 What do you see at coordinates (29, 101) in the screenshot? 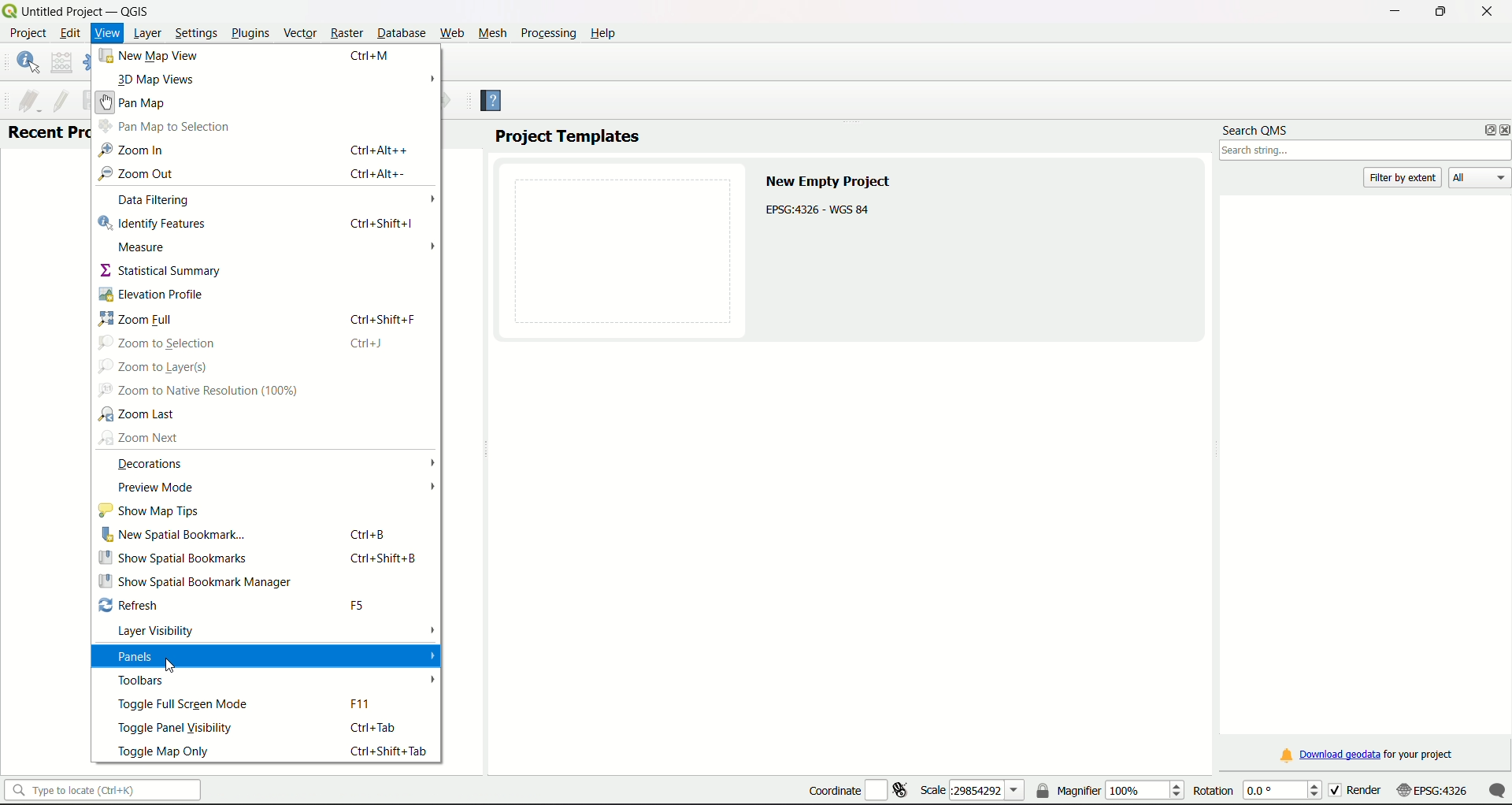
I see `current edit` at bounding box center [29, 101].